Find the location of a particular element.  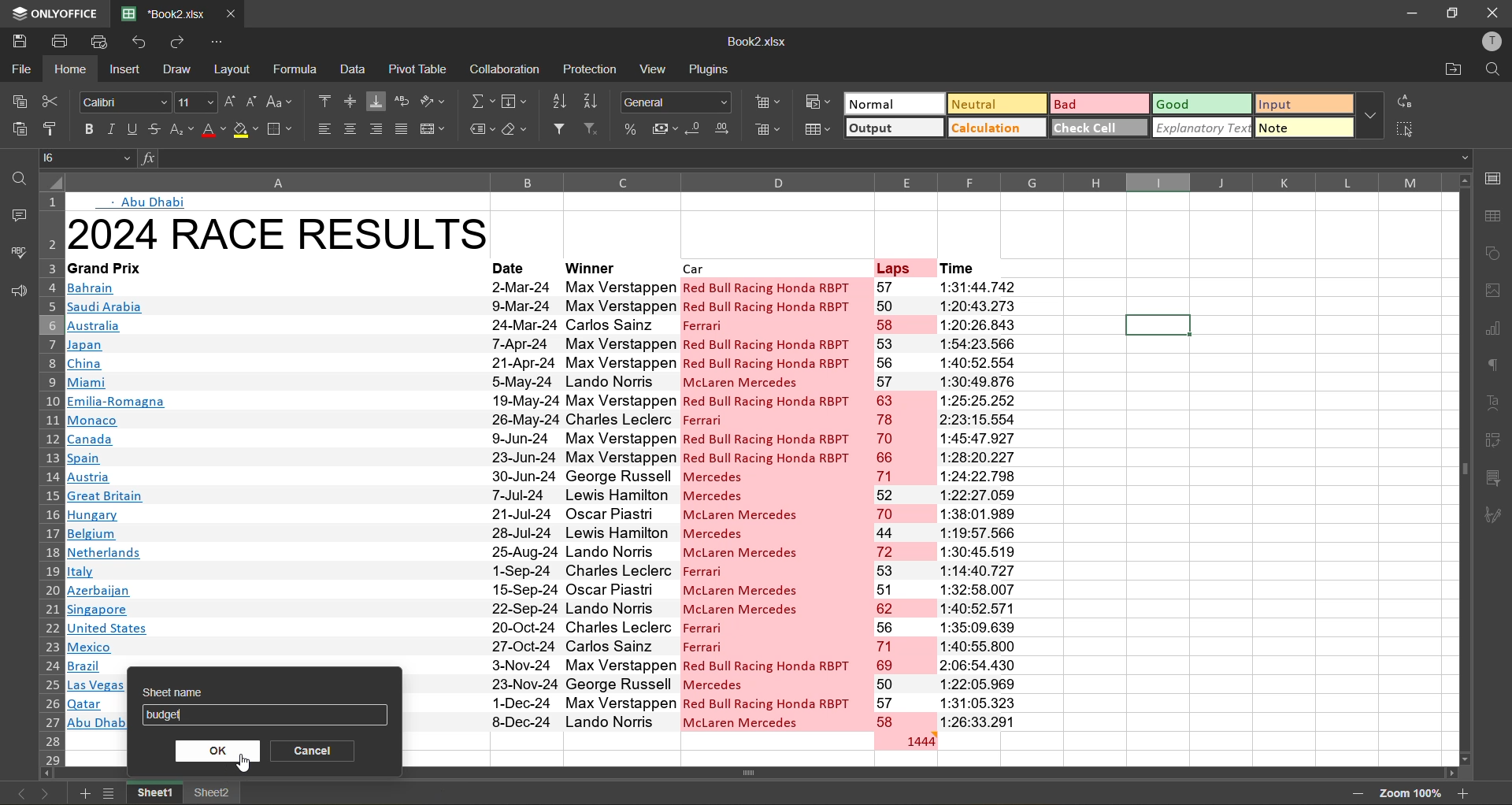

signature is located at coordinates (1497, 516).